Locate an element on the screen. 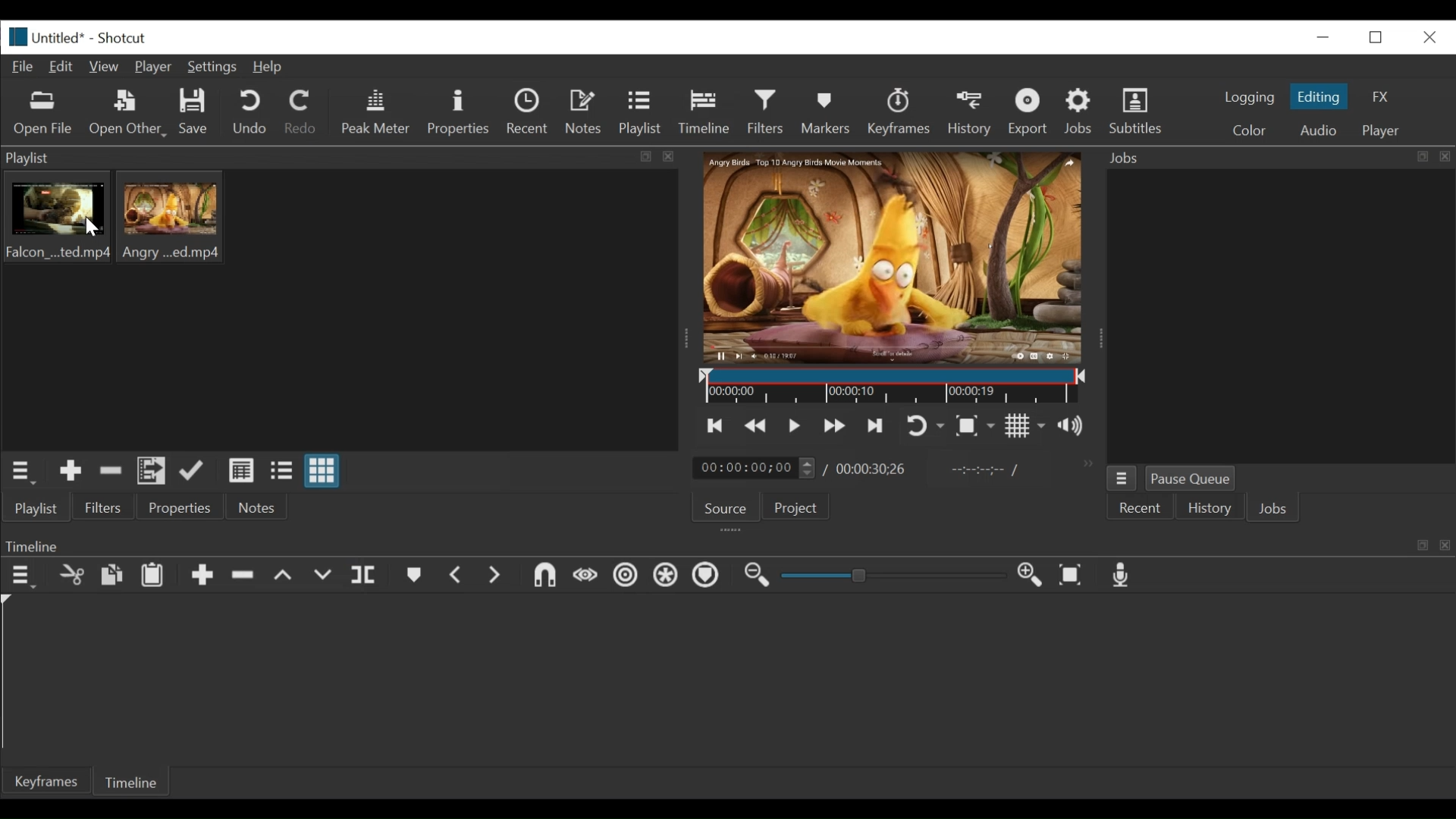 Image resolution: width=1456 pixels, height=819 pixels. Remove cut is located at coordinates (245, 578).